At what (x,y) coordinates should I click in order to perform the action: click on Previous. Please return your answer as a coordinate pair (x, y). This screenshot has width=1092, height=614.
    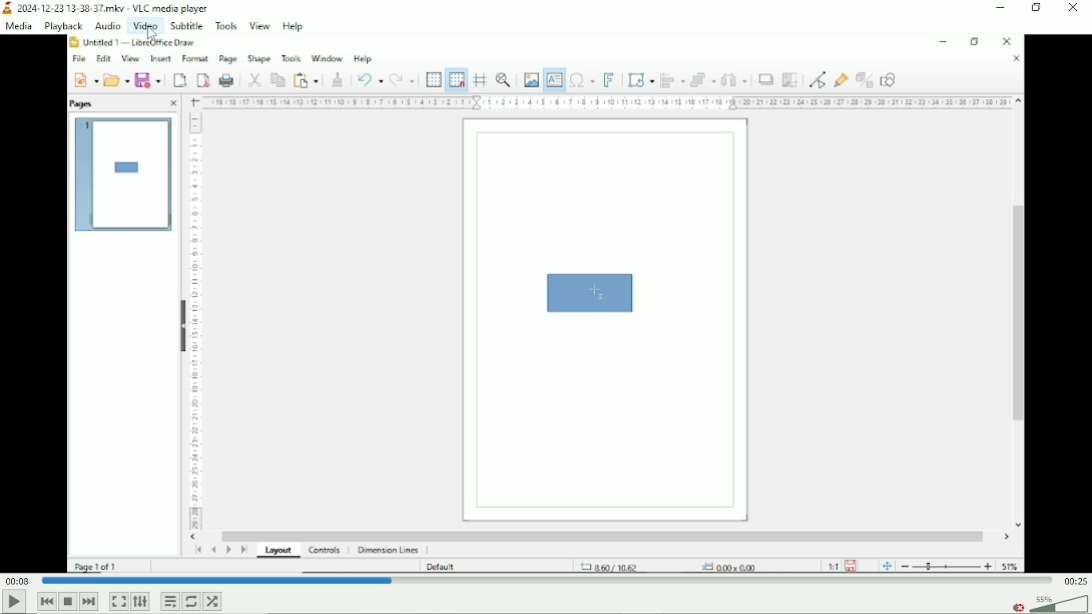
    Looking at the image, I should click on (45, 601).